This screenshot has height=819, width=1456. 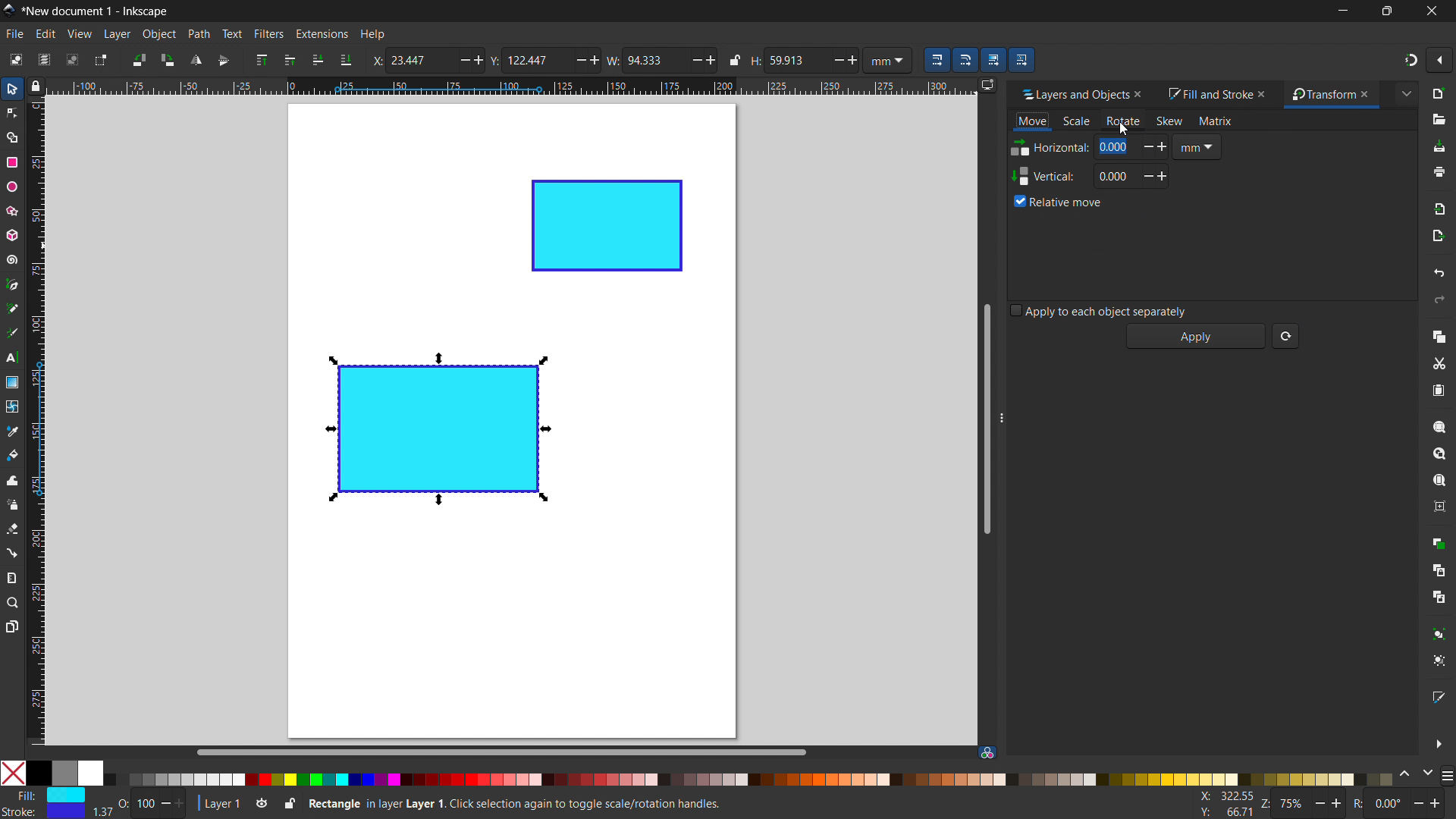 What do you see at coordinates (1438, 390) in the screenshot?
I see `paste` at bounding box center [1438, 390].